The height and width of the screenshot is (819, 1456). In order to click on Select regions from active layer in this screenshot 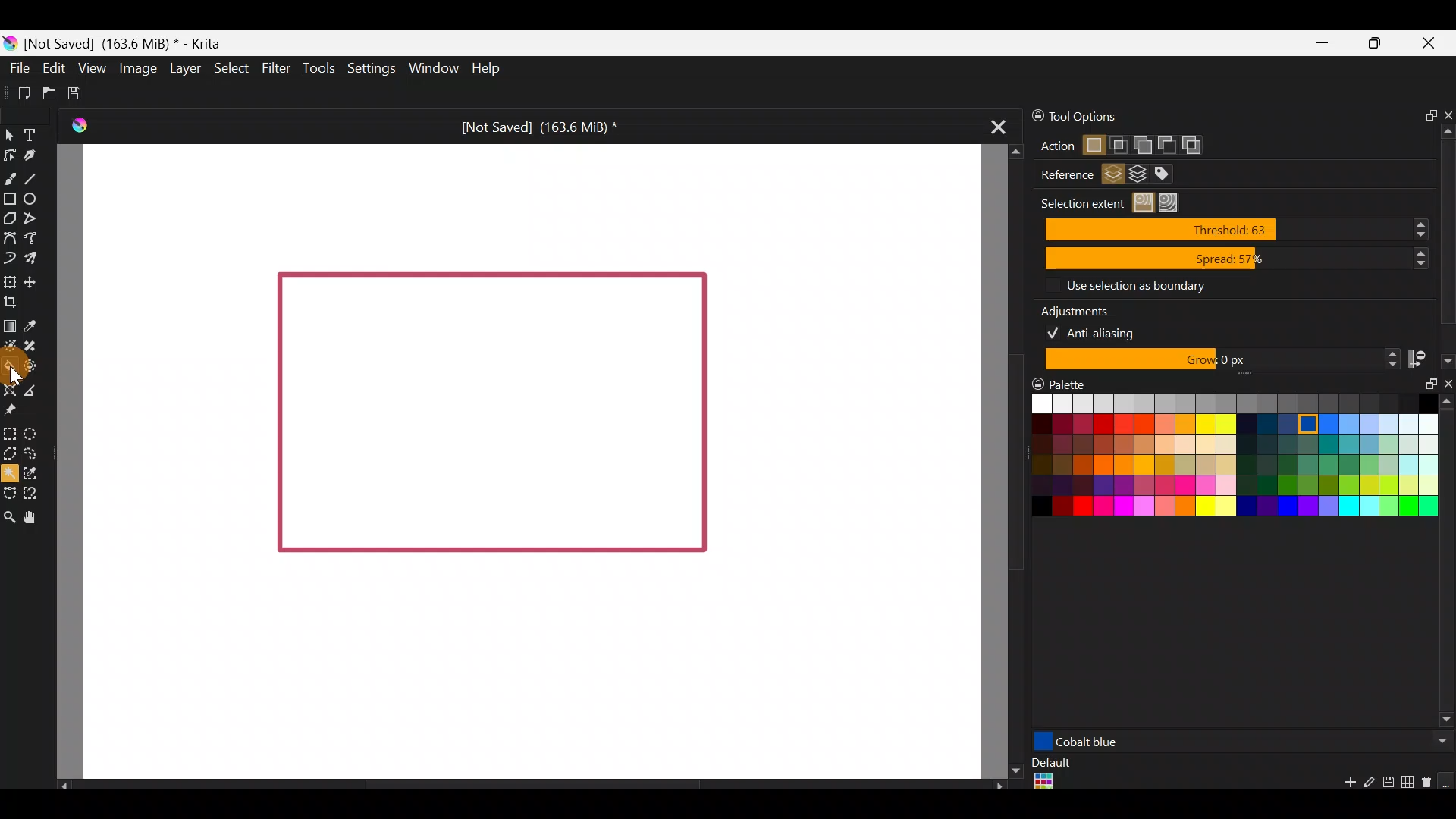, I will do `click(1113, 176)`.